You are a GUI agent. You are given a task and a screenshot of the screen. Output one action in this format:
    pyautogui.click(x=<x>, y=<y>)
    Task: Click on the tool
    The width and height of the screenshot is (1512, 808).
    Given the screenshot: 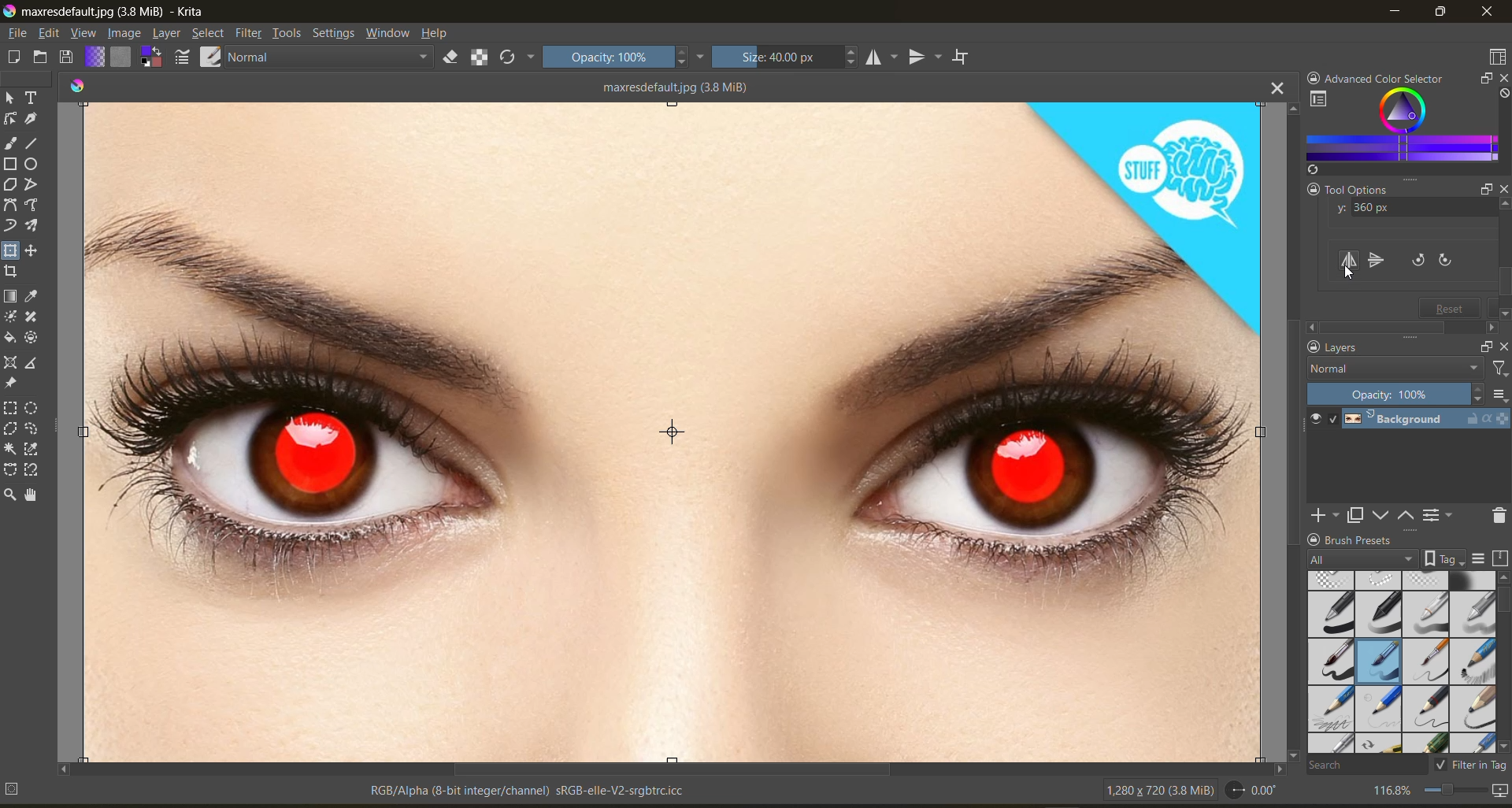 What is the action you would take?
    pyautogui.click(x=12, y=226)
    